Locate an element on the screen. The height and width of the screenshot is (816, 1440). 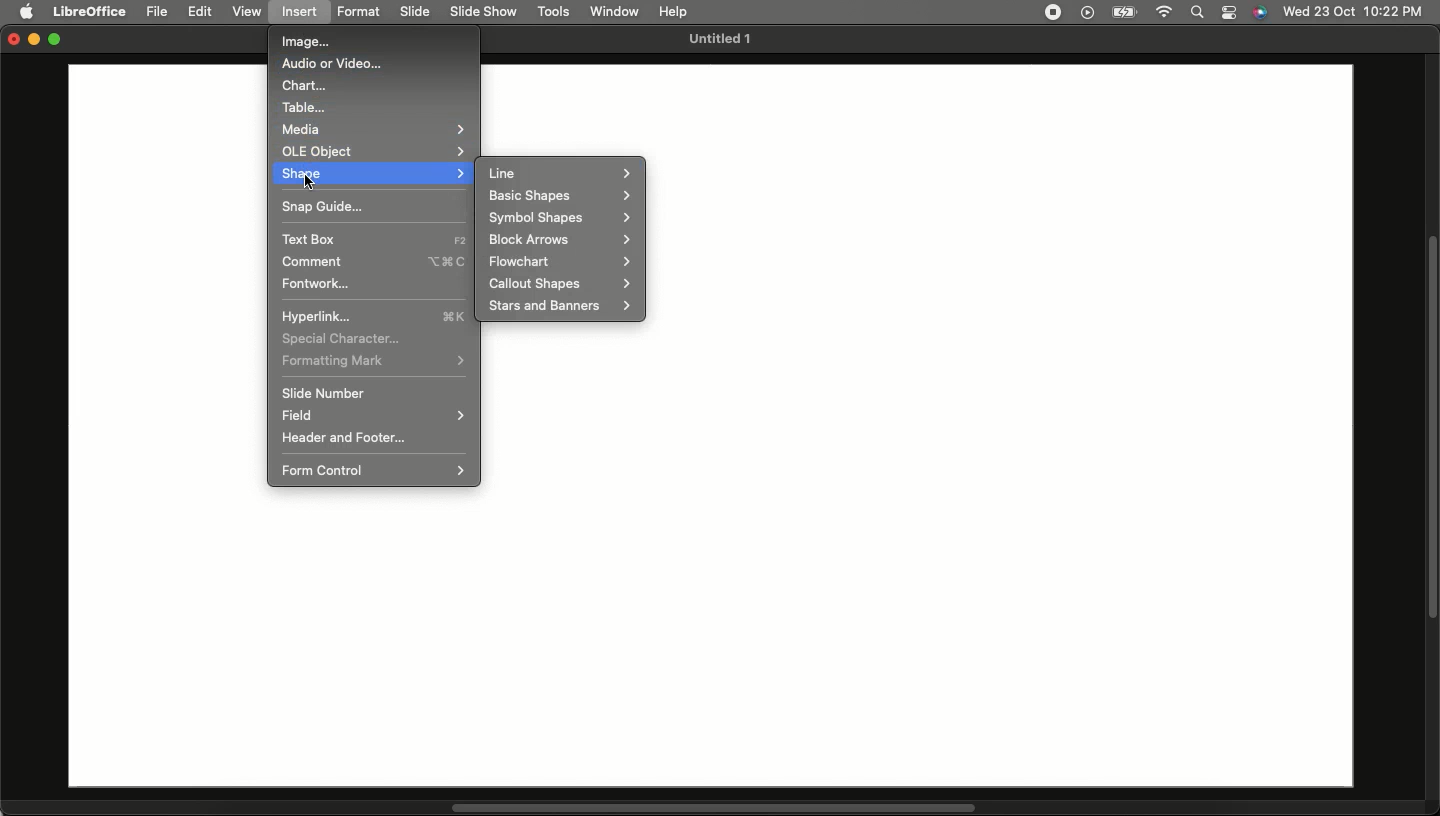
Audio or video is located at coordinates (335, 65).